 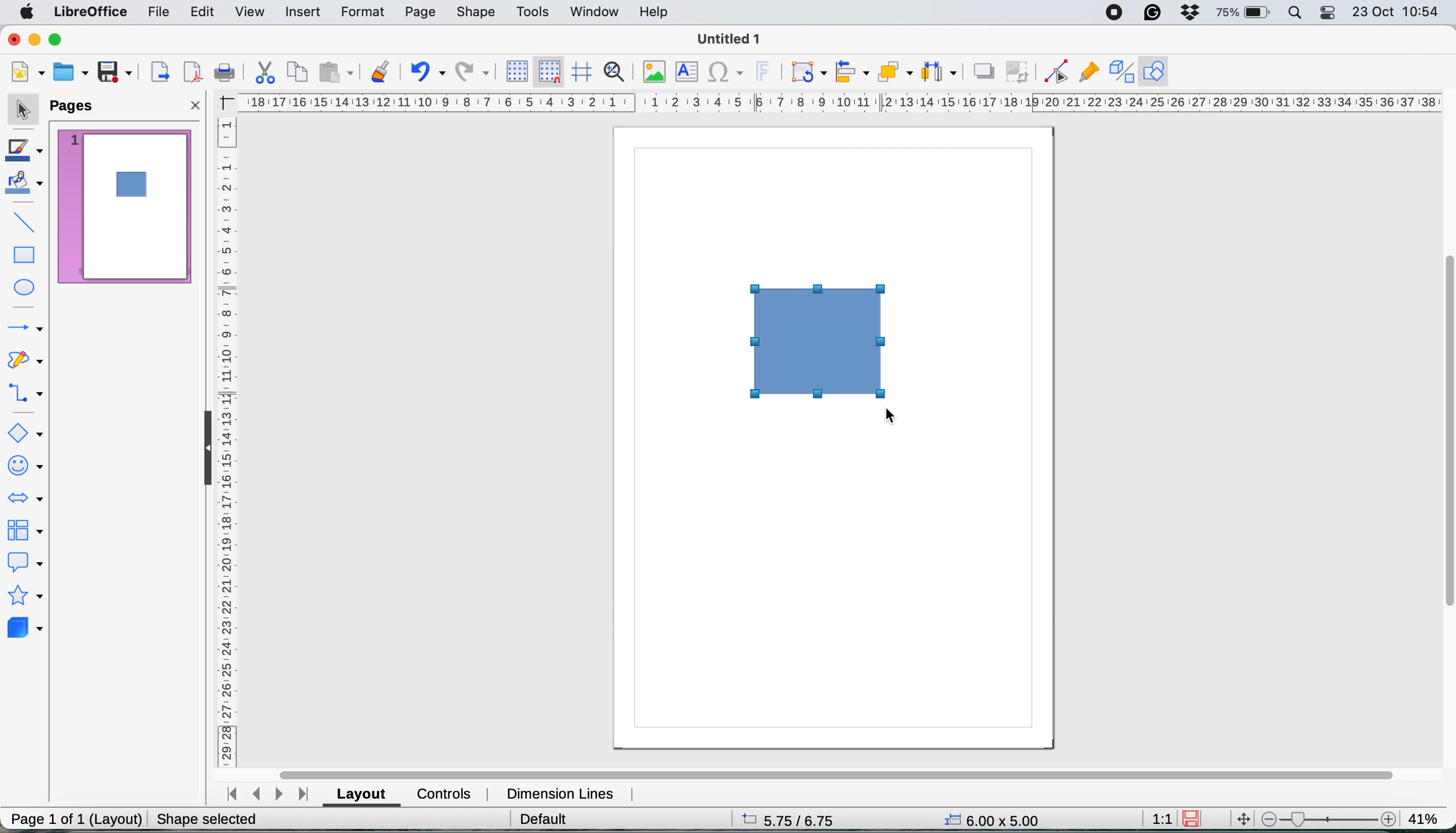 I want to click on cut, so click(x=263, y=72).